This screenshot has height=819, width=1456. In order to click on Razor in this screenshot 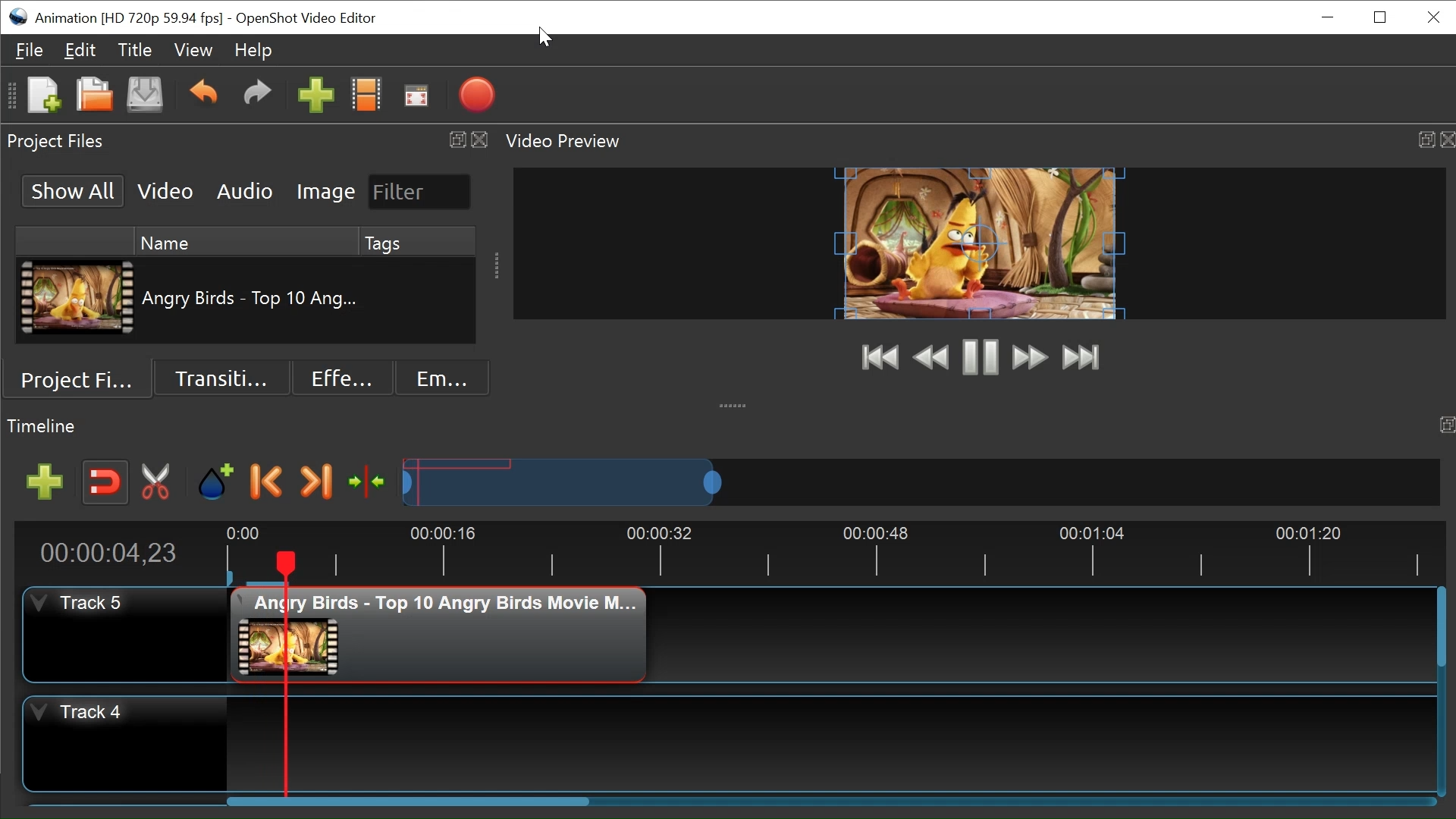, I will do `click(157, 483)`.